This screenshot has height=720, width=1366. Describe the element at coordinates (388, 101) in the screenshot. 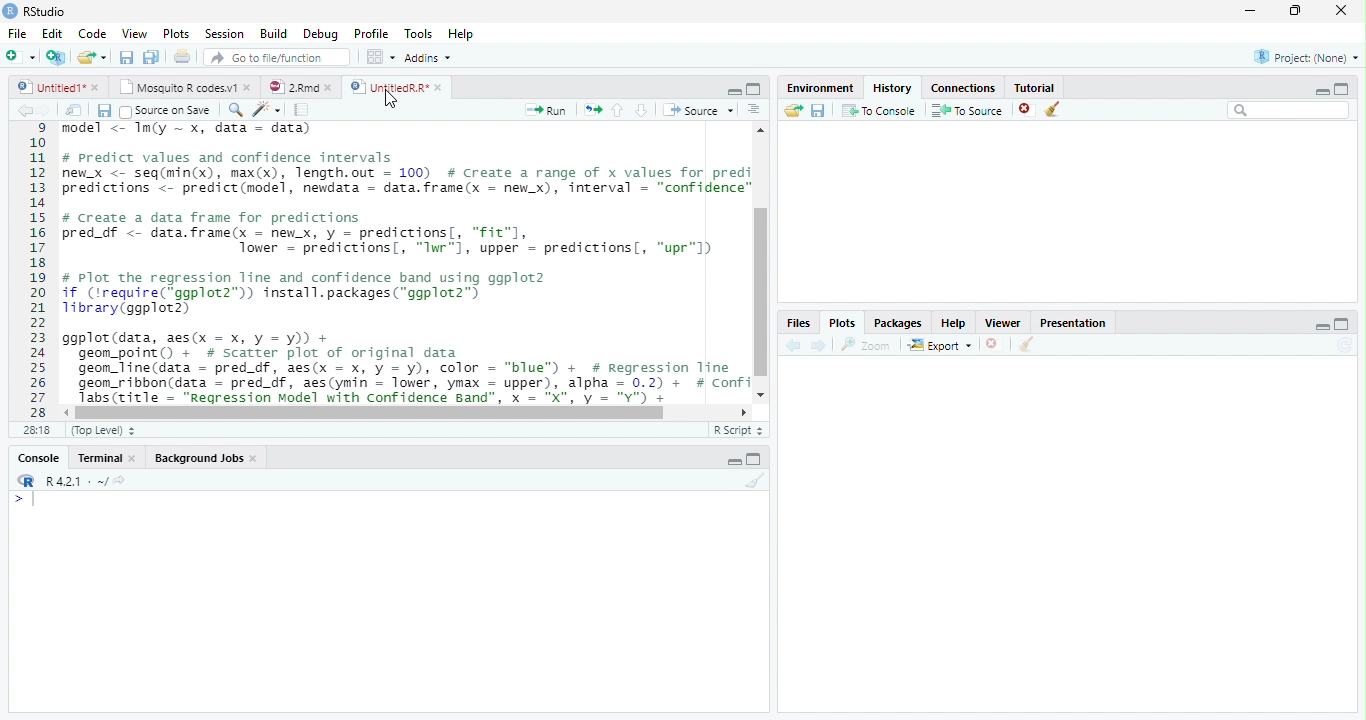

I see `Cursor` at that location.